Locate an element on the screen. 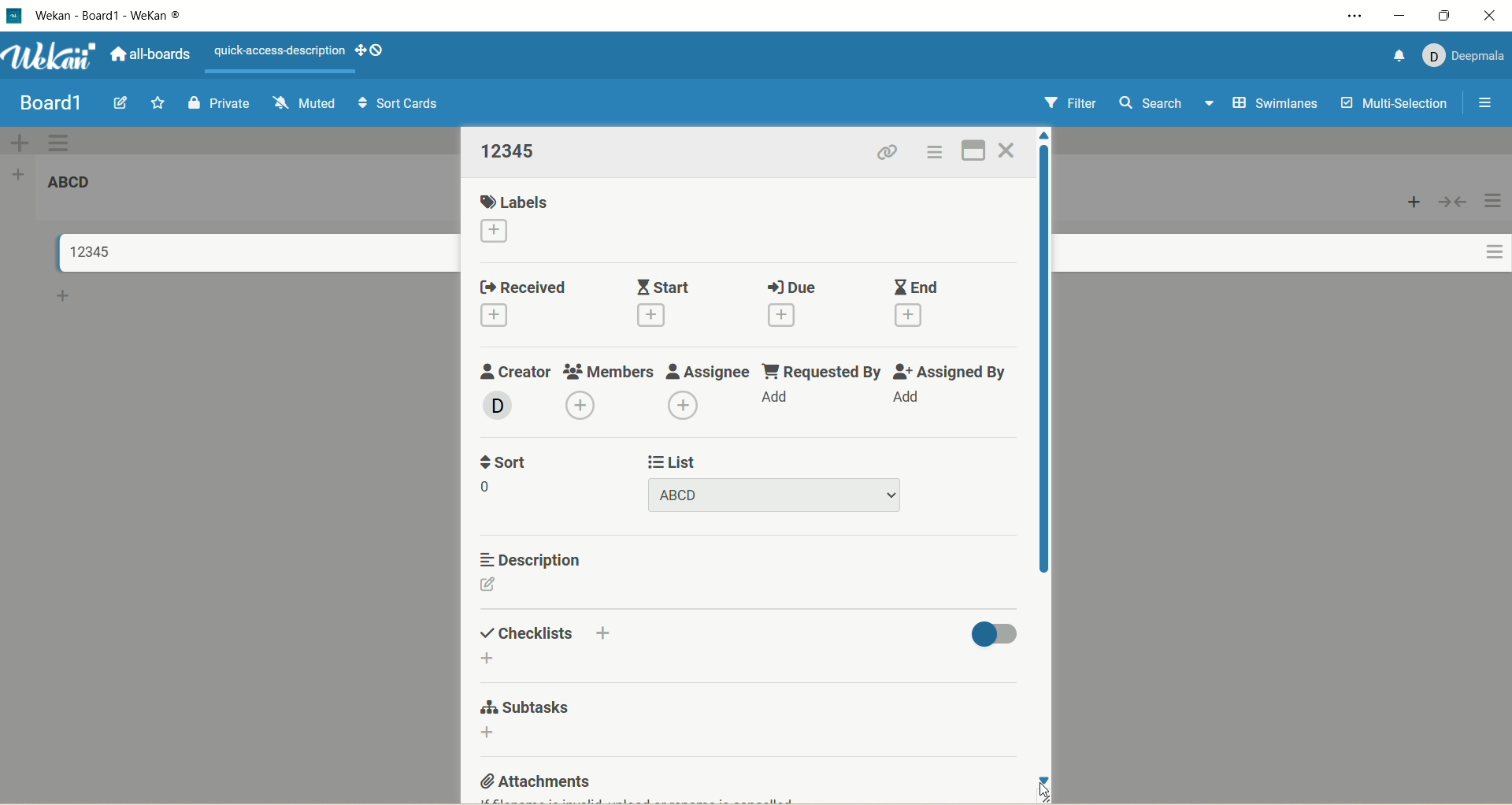  vertical scroll bar is located at coordinates (1043, 380).